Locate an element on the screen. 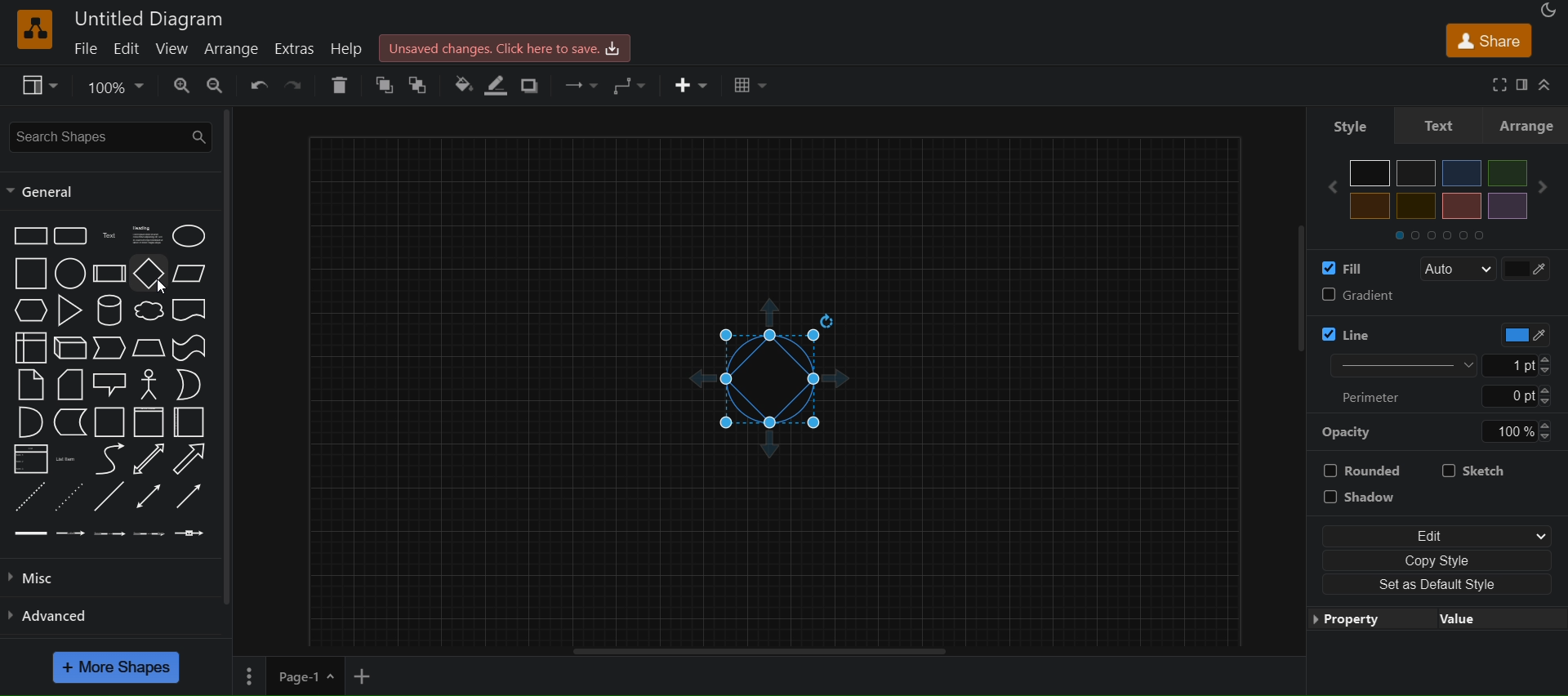 The height and width of the screenshot is (696, 1568). dashed line is located at coordinates (26, 496).